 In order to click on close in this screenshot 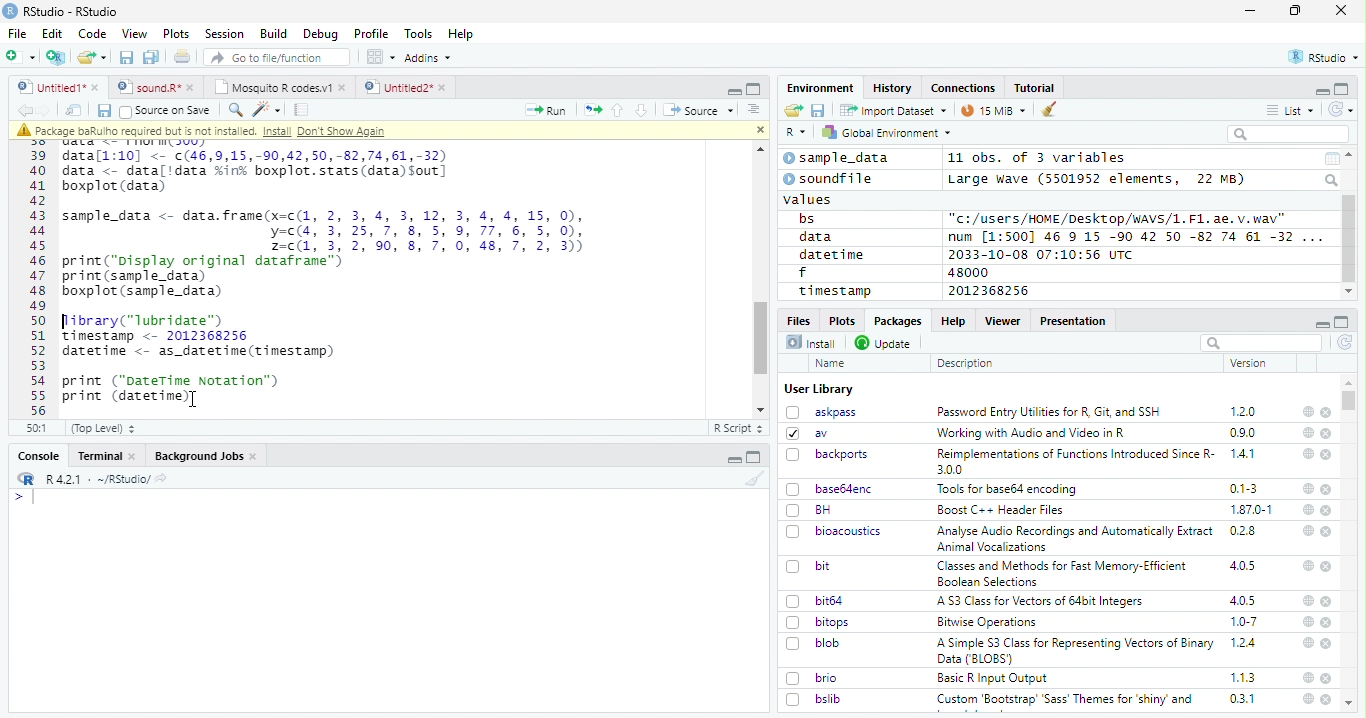, I will do `click(1326, 699)`.